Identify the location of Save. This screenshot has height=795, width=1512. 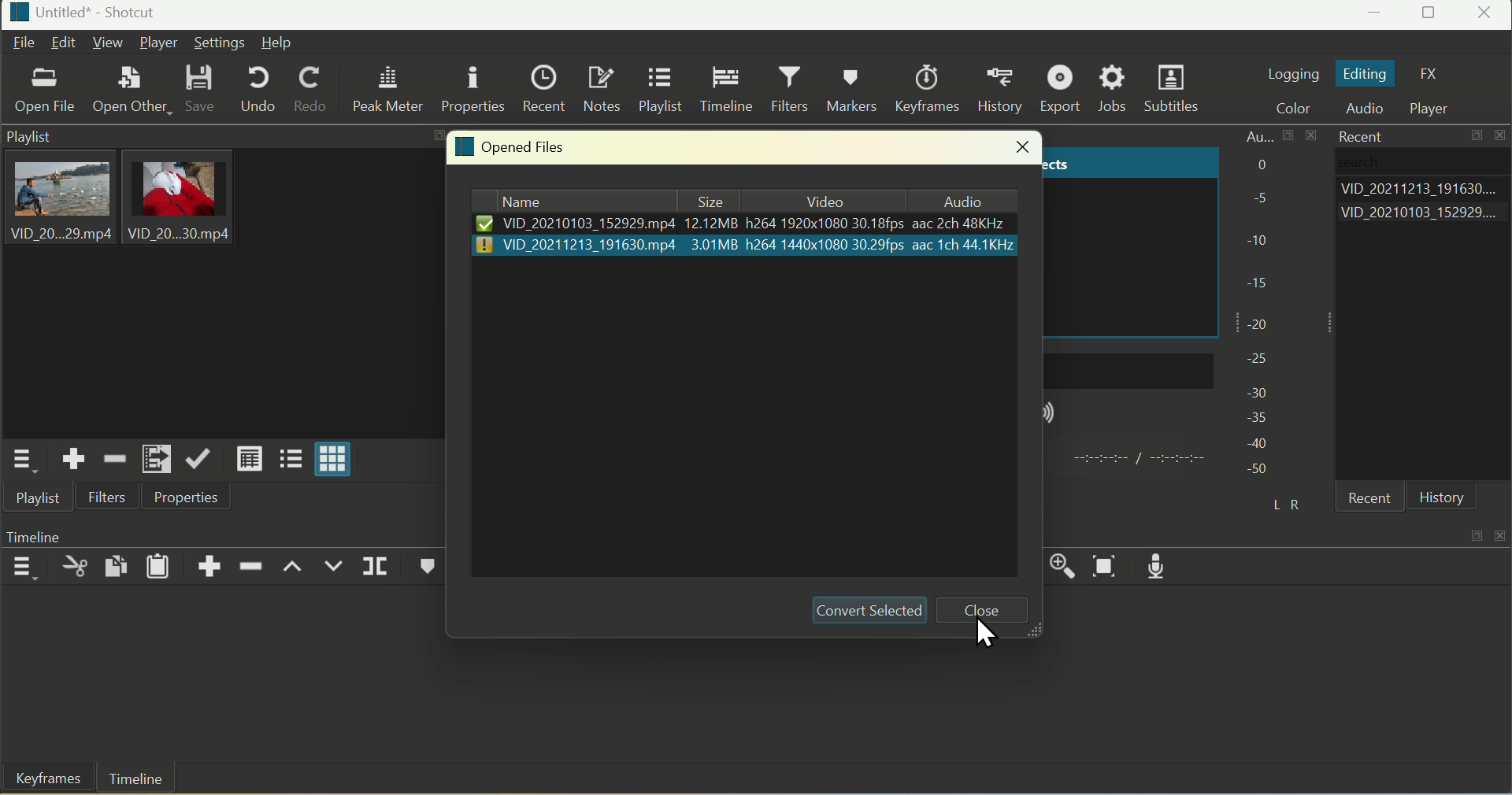
(202, 89).